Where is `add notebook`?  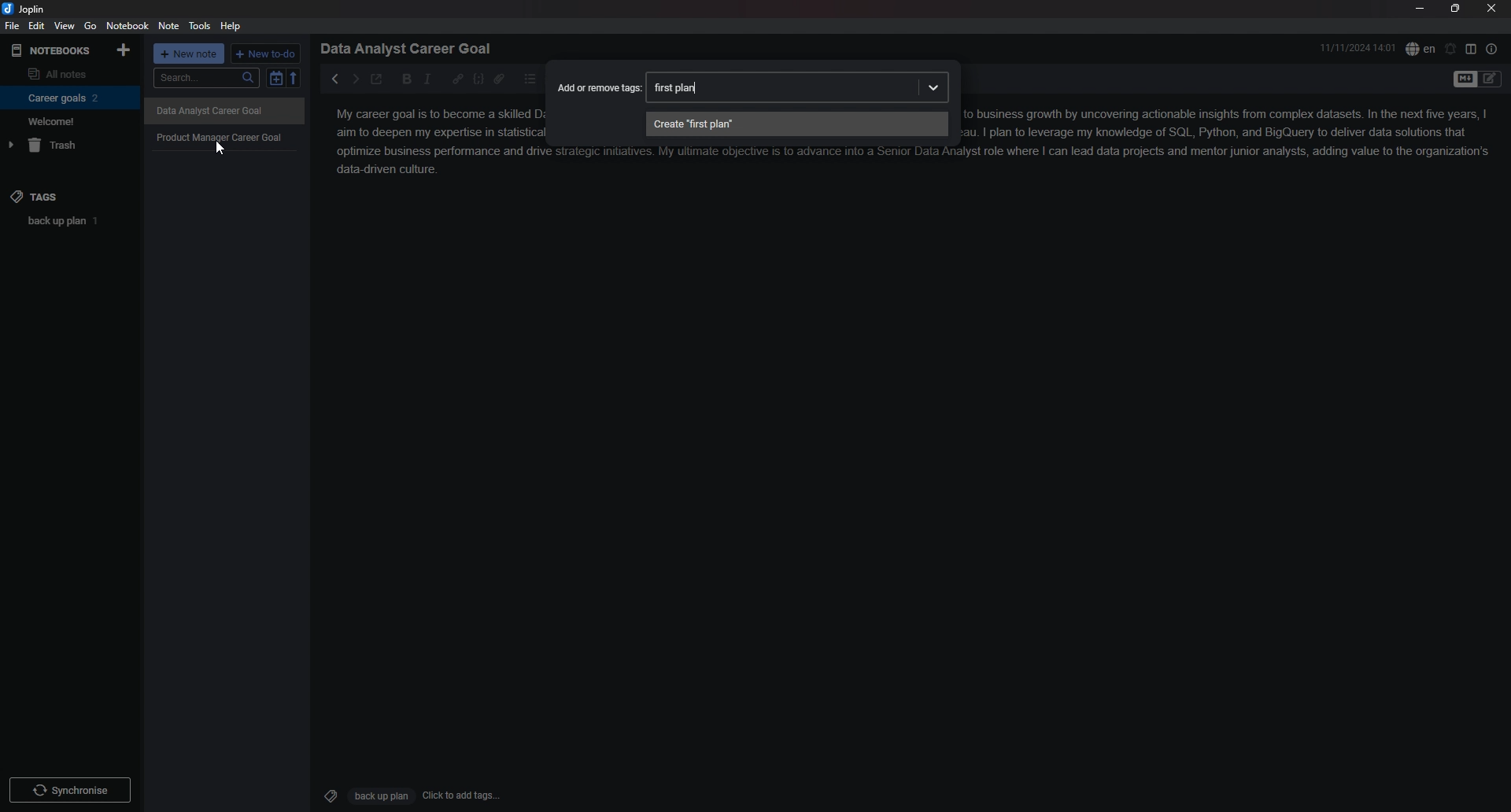
add notebook is located at coordinates (125, 50).